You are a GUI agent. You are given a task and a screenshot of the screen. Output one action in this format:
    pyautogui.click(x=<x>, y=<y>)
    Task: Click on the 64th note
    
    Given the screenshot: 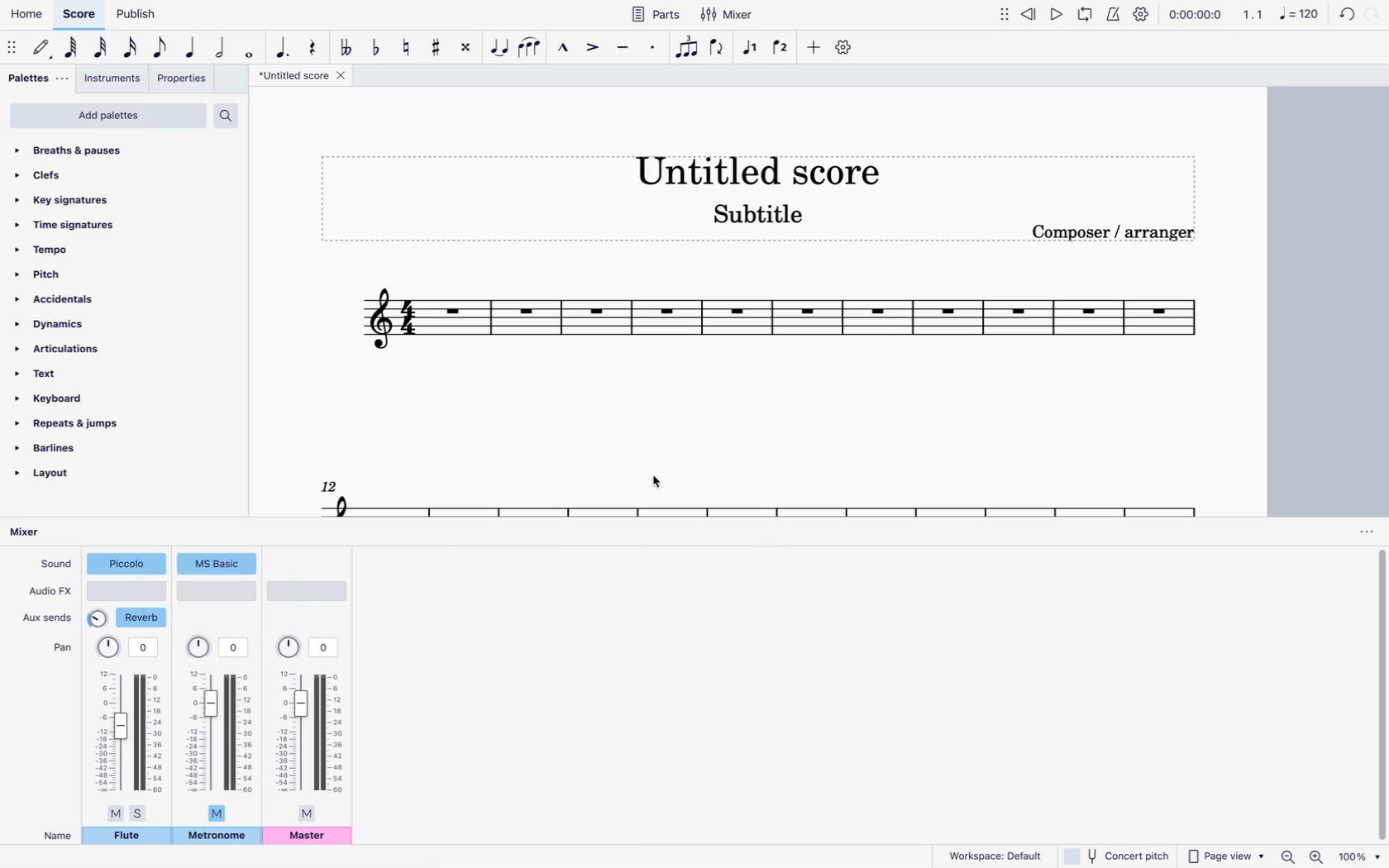 What is the action you would take?
    pyautogui.click(x=73, y=48)
    